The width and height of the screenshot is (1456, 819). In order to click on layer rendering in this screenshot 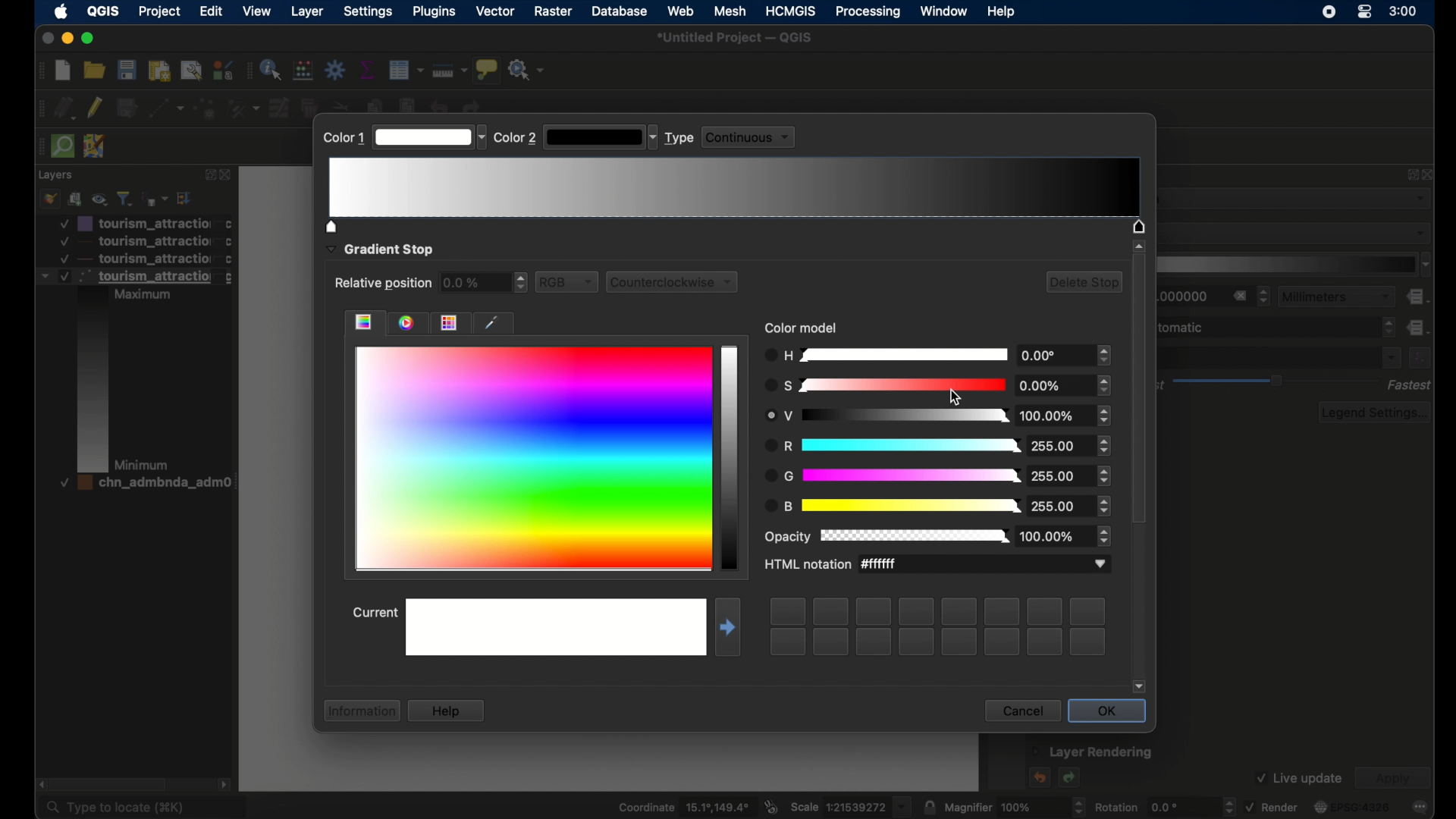, I will do `click(1093, 753)`.